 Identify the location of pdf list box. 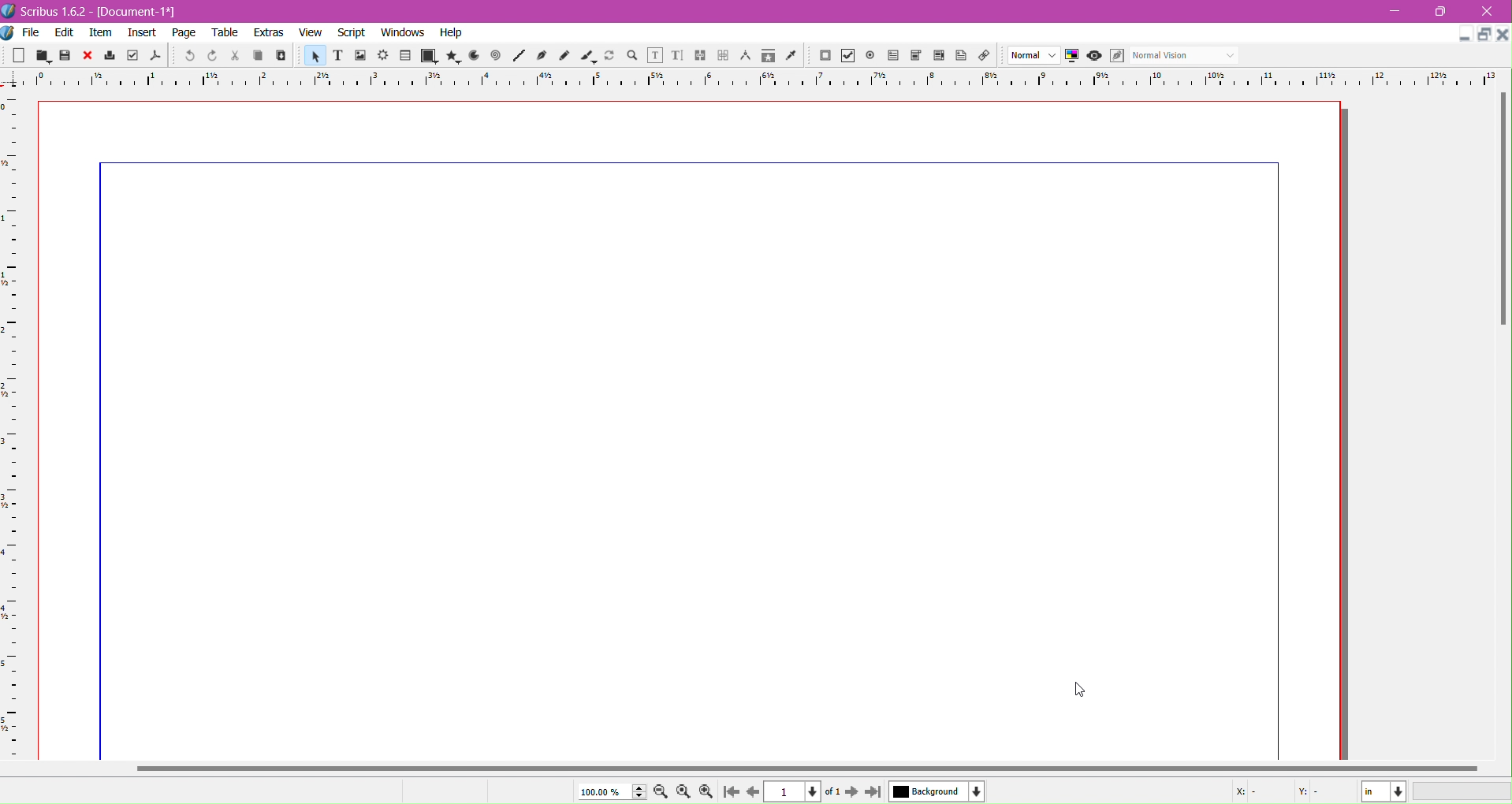
(916, 56).